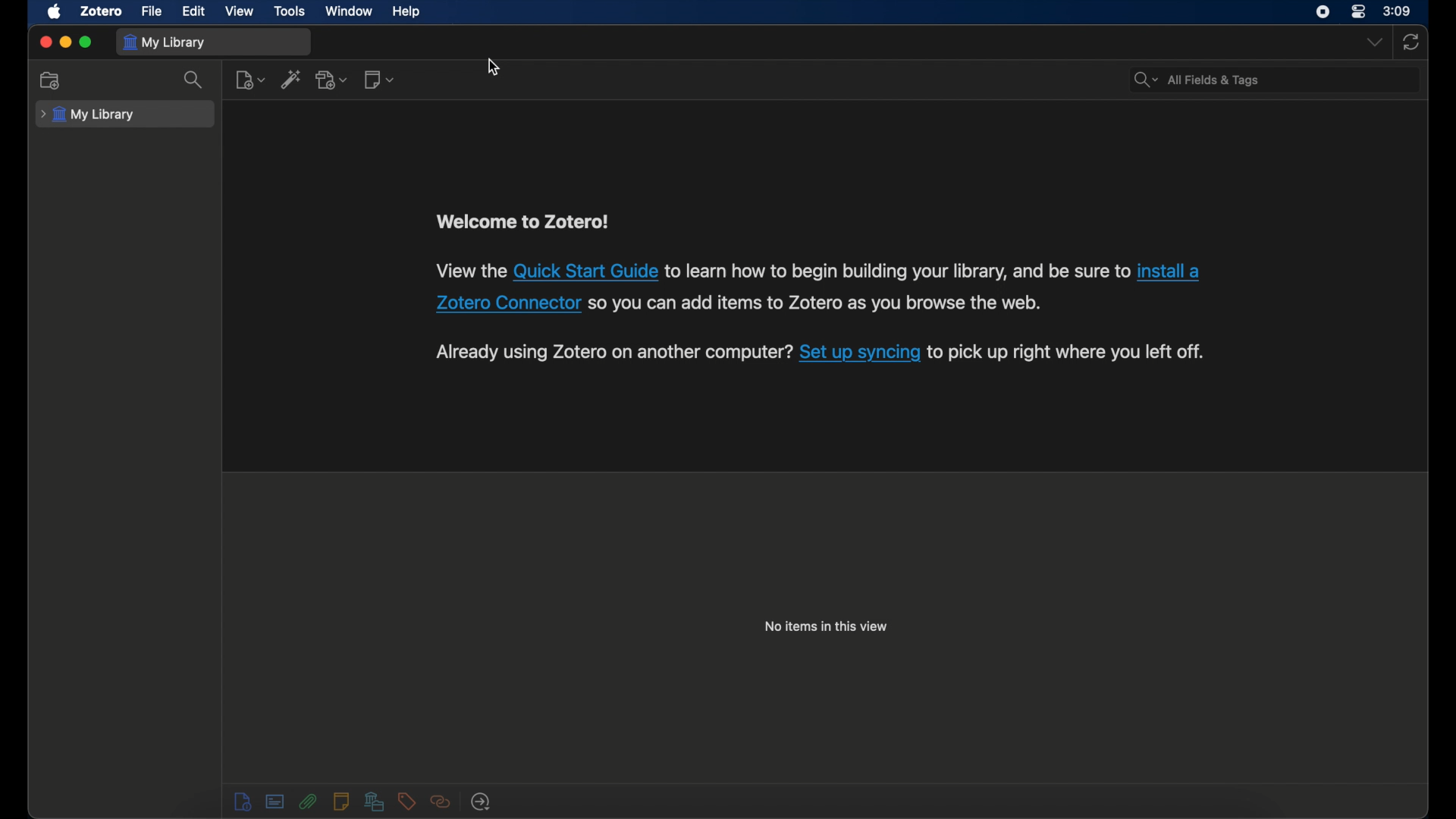 The height and width of the screenshot is (819, 1456). I want to click on collection, so click(51, 80).